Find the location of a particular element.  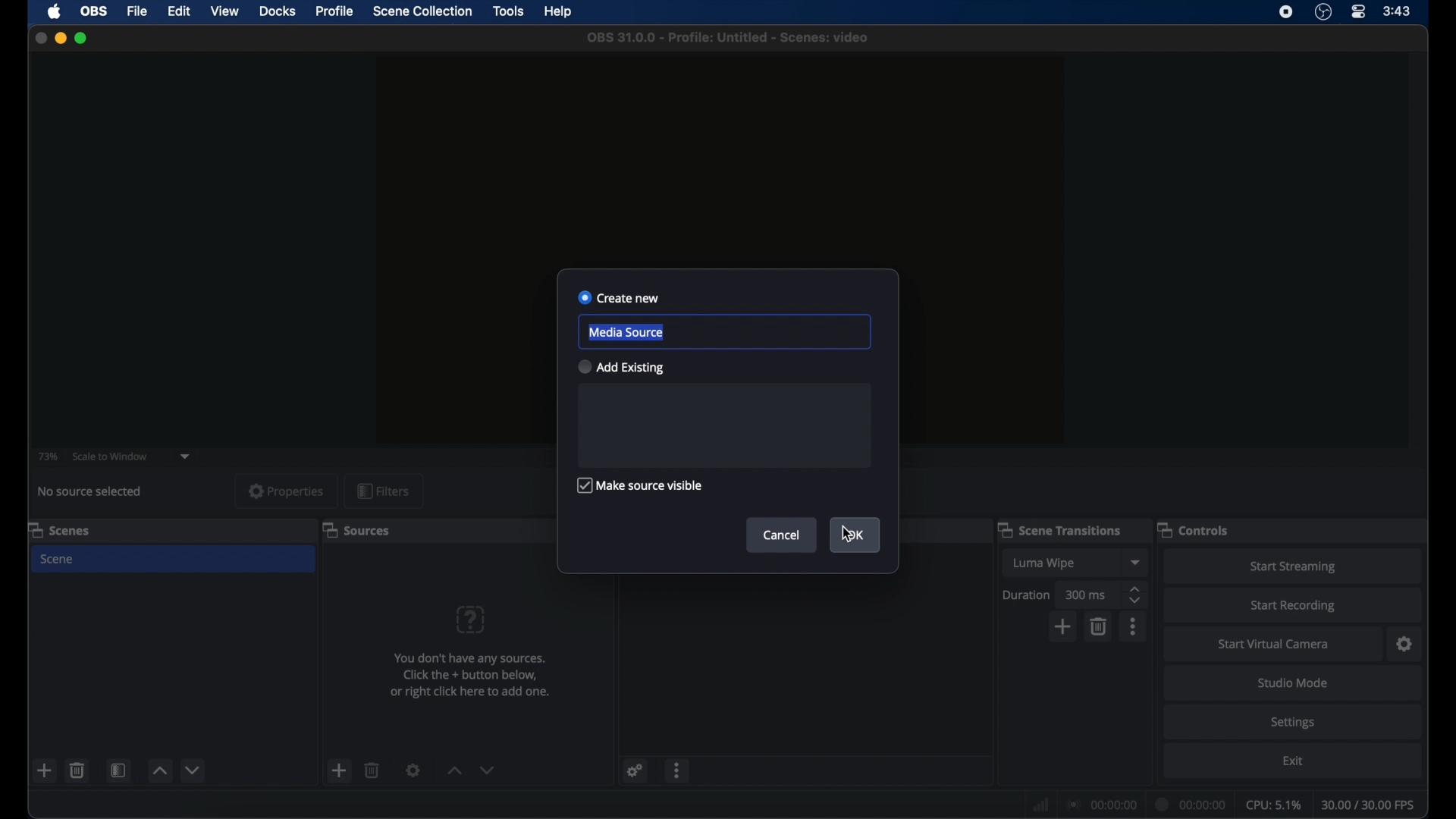

filters is located at coordinates (383, 491).